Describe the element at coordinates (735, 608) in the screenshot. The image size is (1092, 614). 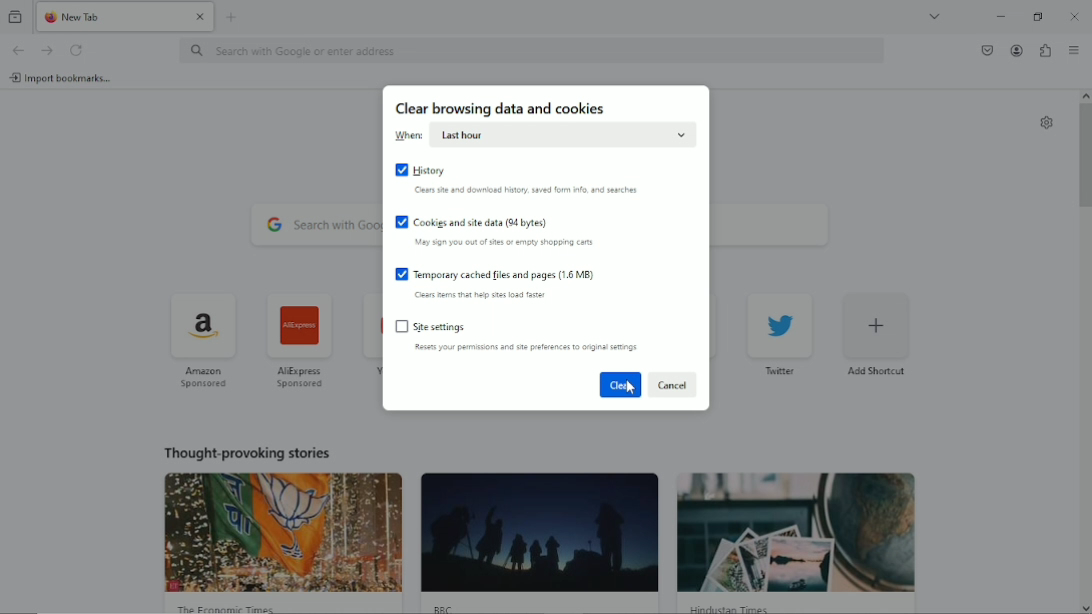
I see `Hindustan Times` at that location.